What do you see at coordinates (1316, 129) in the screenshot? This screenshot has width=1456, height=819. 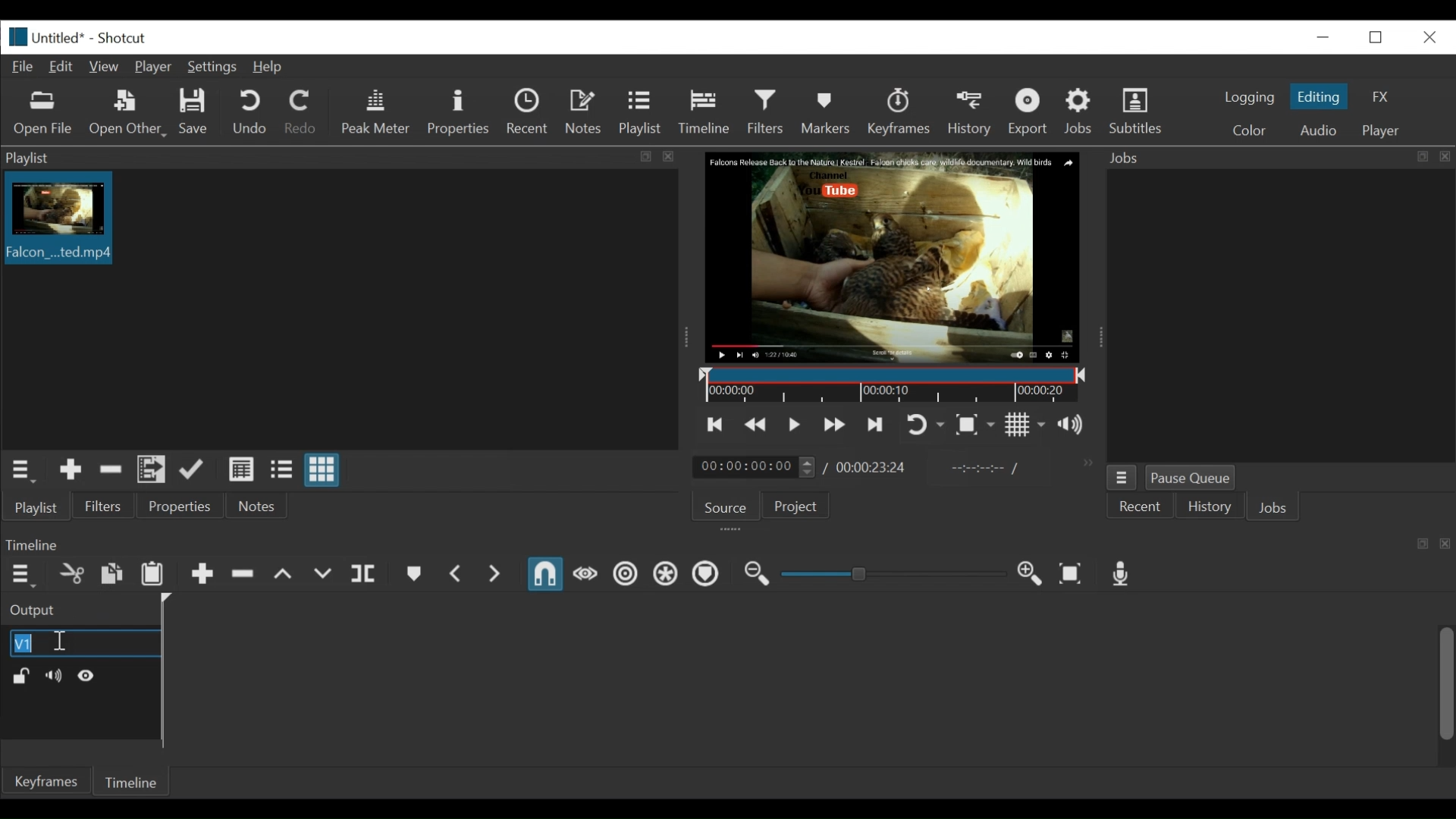 I see `Audio` at bounding box center [1316, 129].